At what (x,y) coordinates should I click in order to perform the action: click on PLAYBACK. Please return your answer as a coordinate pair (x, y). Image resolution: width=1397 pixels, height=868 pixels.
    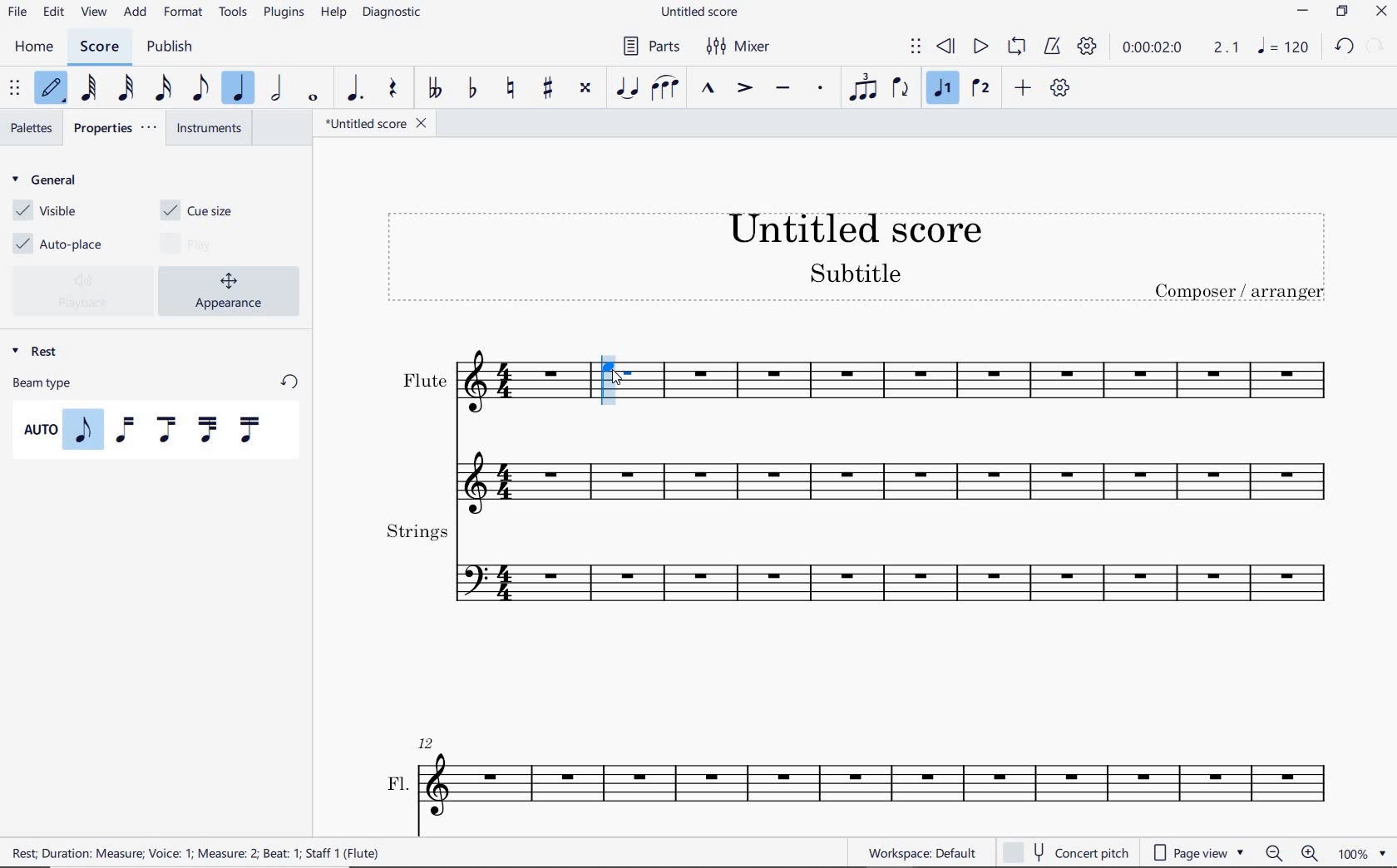
    Looking at the image, I should click on (85, 291).